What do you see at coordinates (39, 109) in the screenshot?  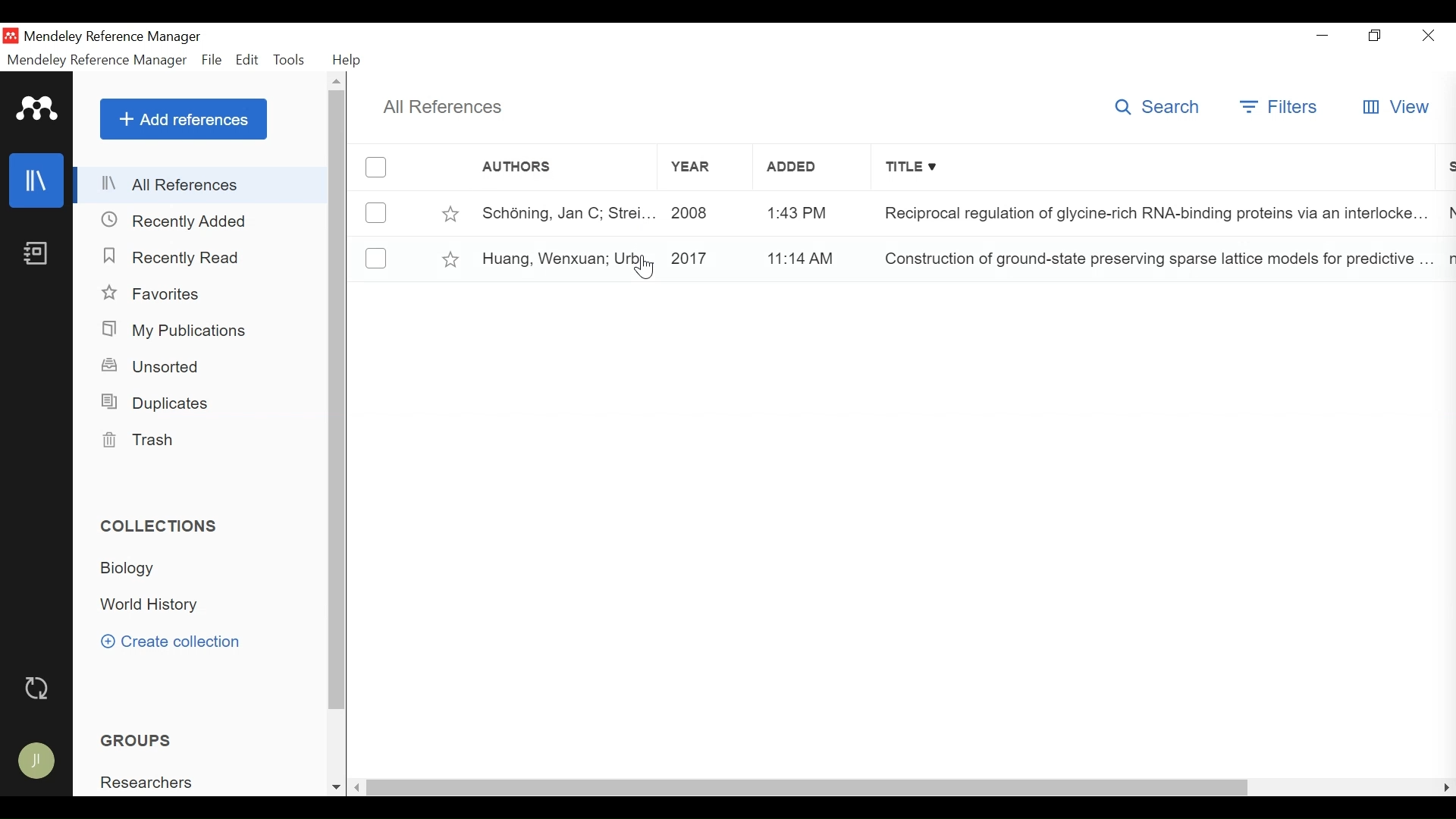 I see `Mendeley logo` at bounding box center [39, 109].